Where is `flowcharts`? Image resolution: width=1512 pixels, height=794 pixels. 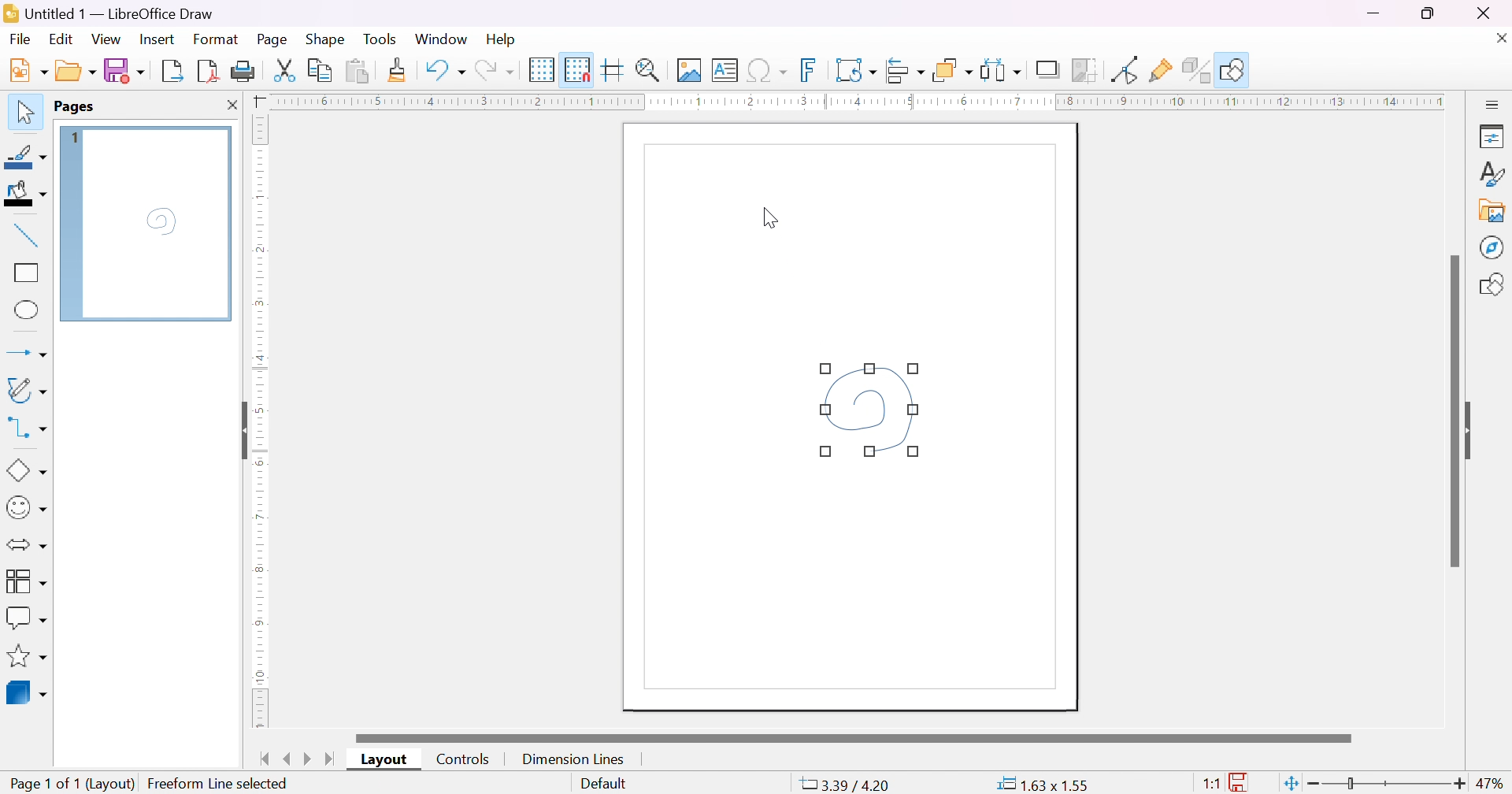
flowcharts is located at coordinates (24, 581).